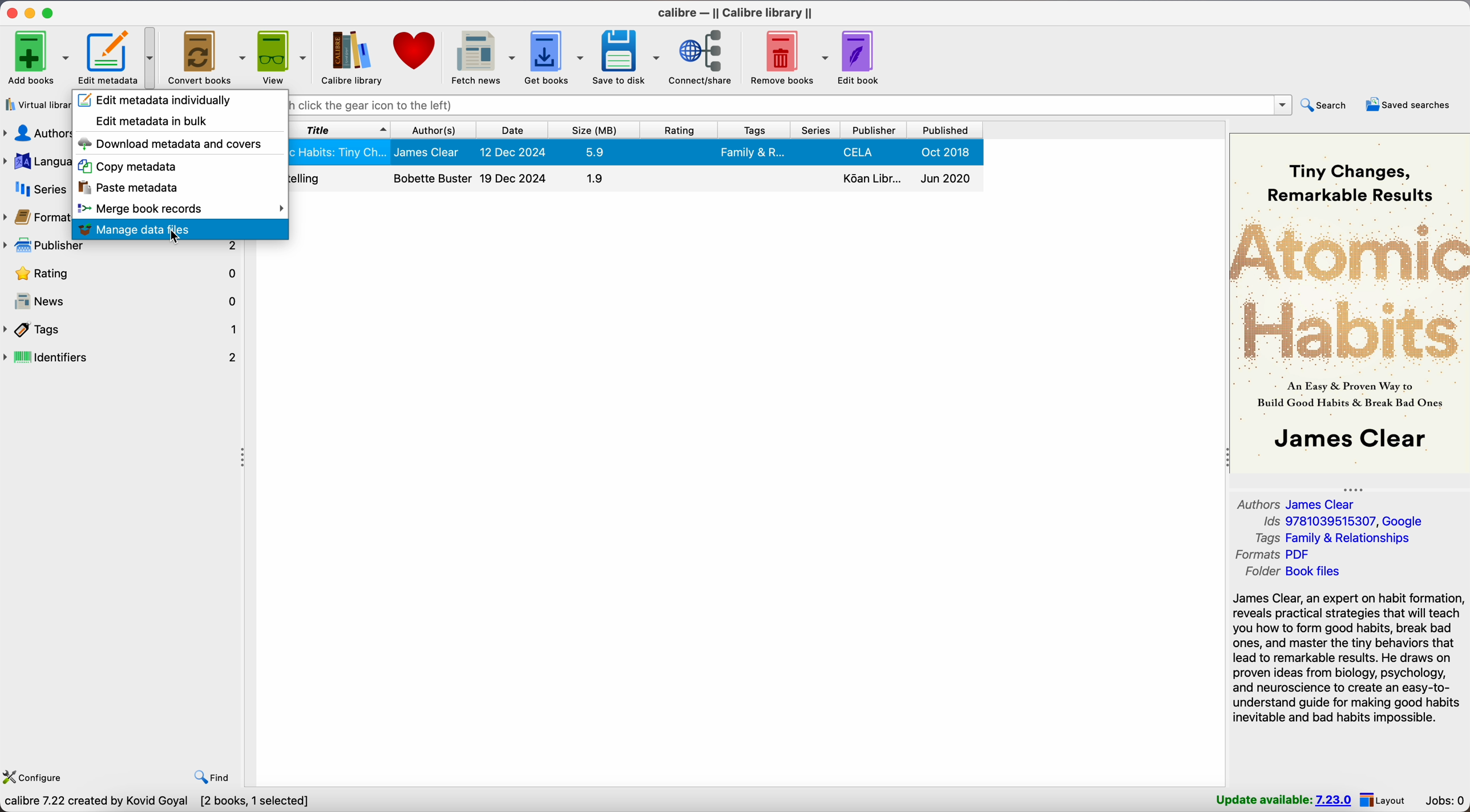 Image resolution: width=1470 pixels, height=812 pixels. Describe the element at coordinates (34, 775) in the screenshot. I see `configure` at that location.